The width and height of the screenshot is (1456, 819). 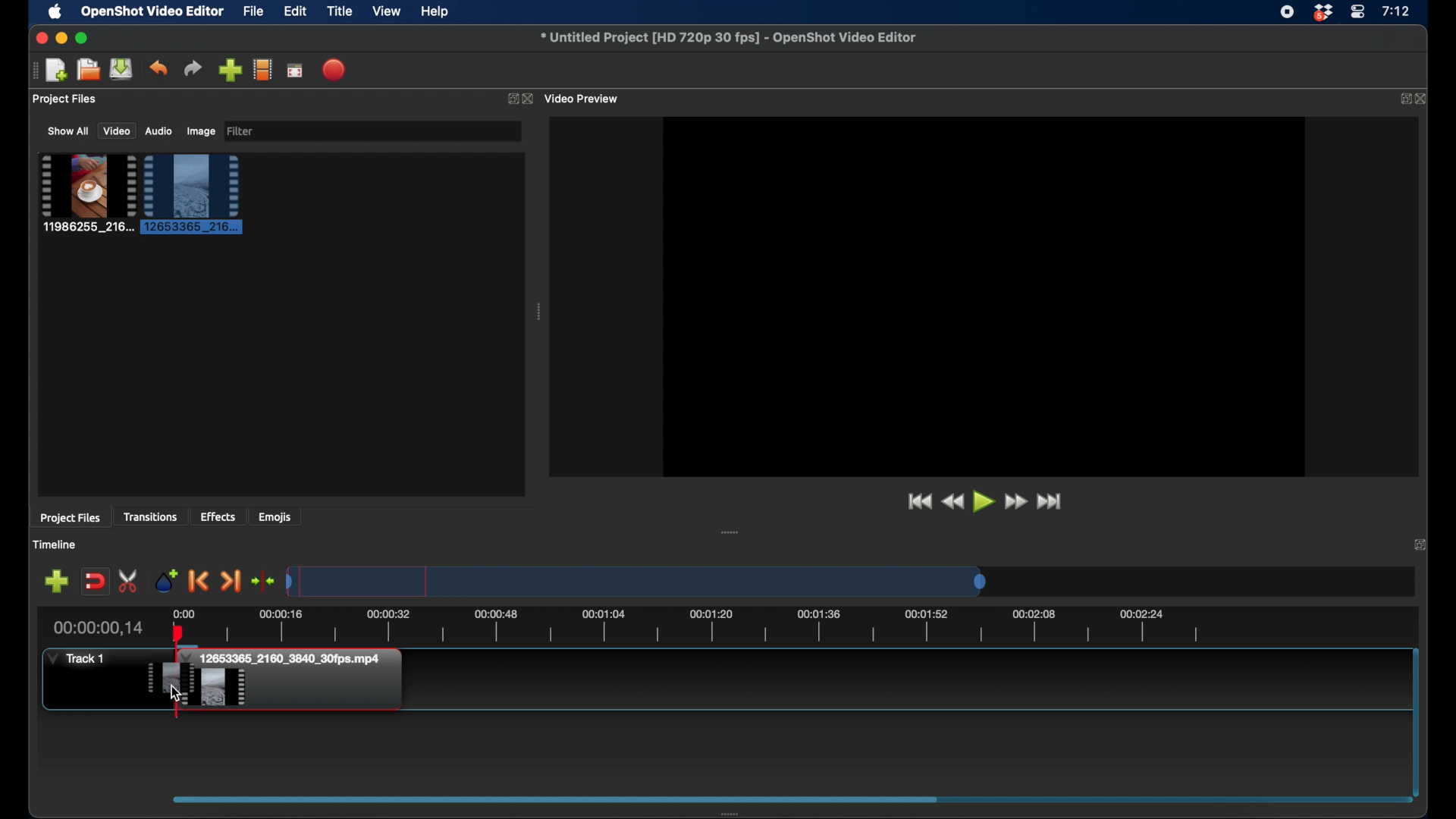 What do you see at coordinates (64, 99) in the screenshot?
I see `project files` at bounding box center [64, 99].